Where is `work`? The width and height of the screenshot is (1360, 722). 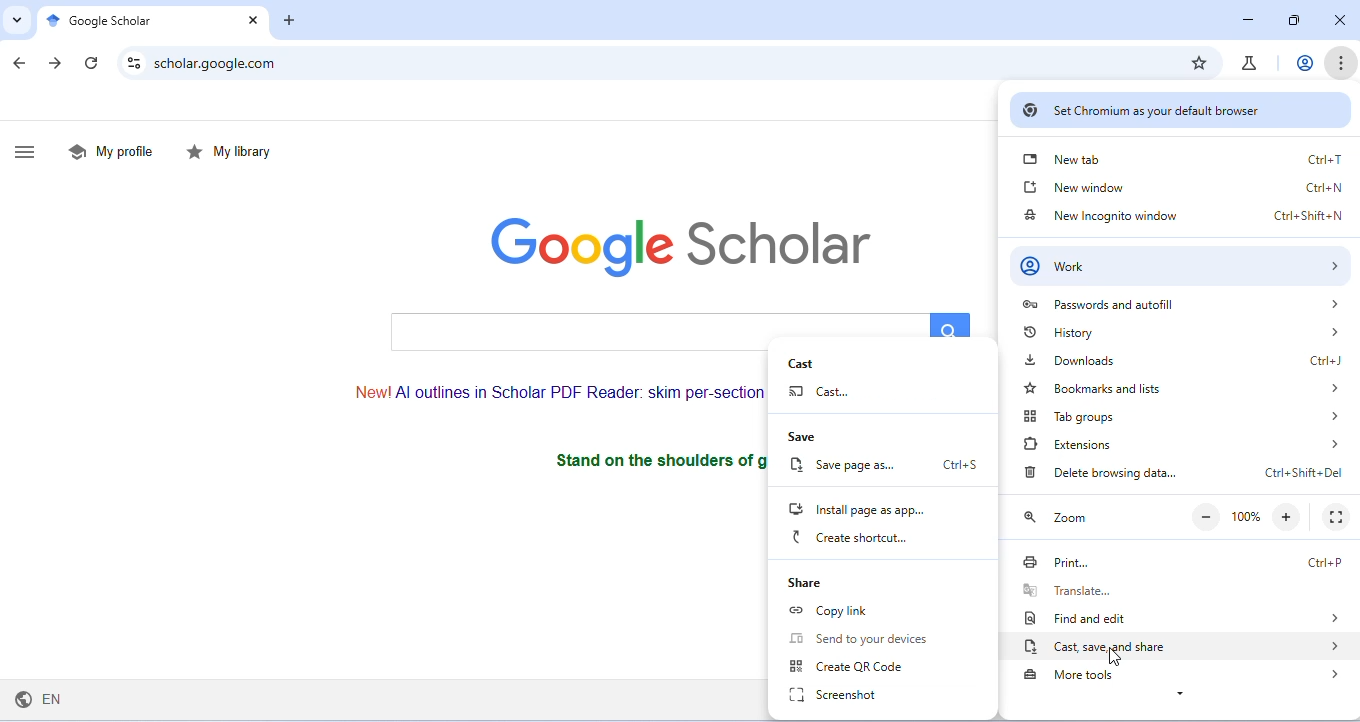
work is located at coordinates (1182, 267).